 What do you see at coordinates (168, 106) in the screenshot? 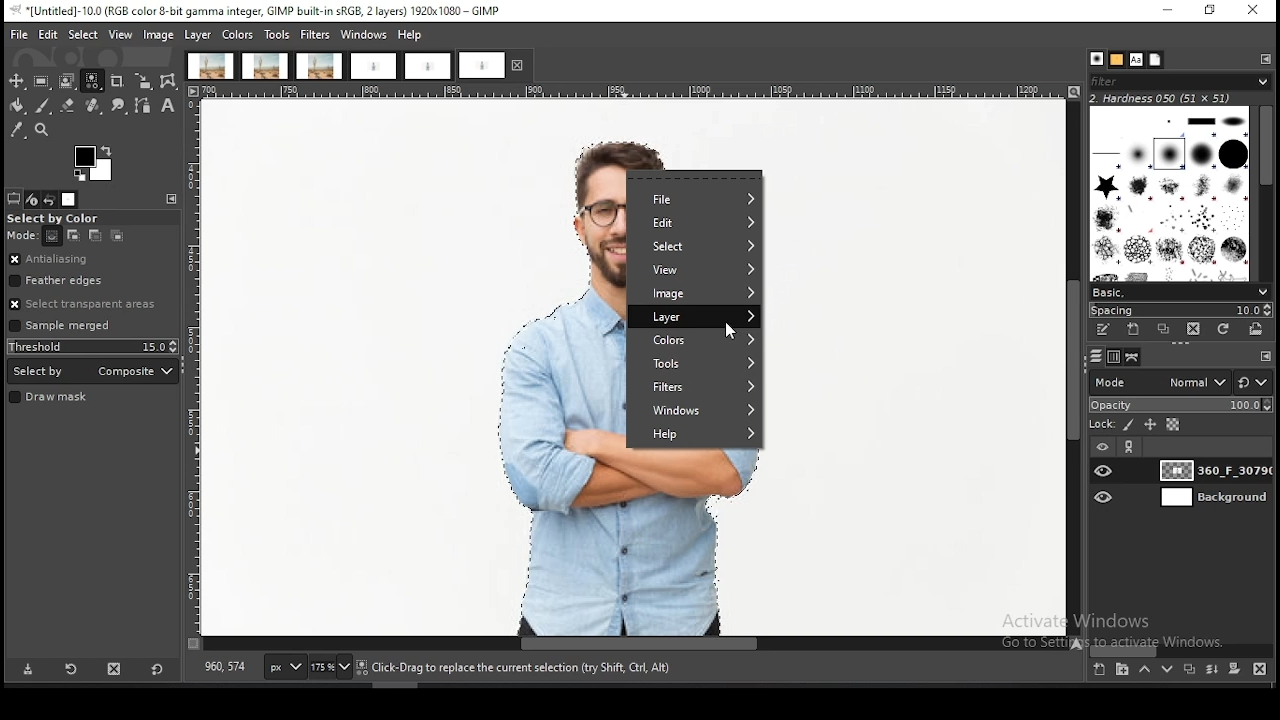
I see `text tool` at bounding box center [168, 106].